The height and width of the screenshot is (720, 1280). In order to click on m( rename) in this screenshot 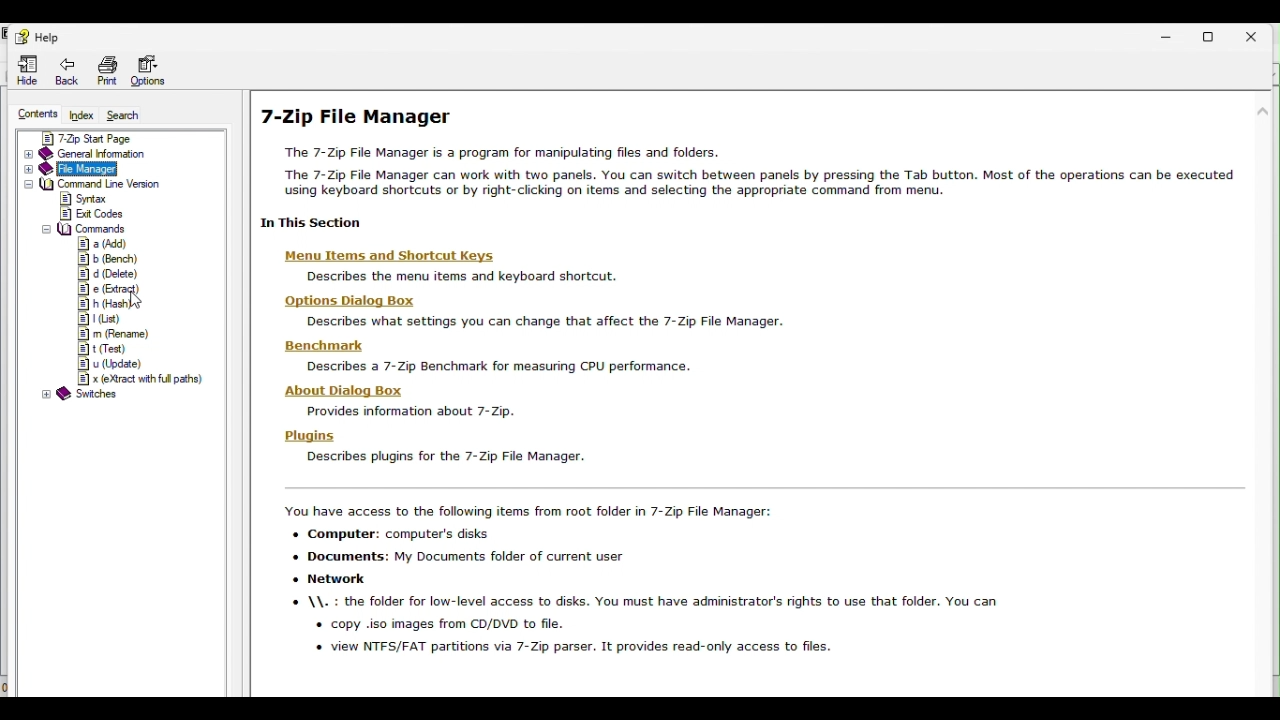, I will do `click(112, 334)`.